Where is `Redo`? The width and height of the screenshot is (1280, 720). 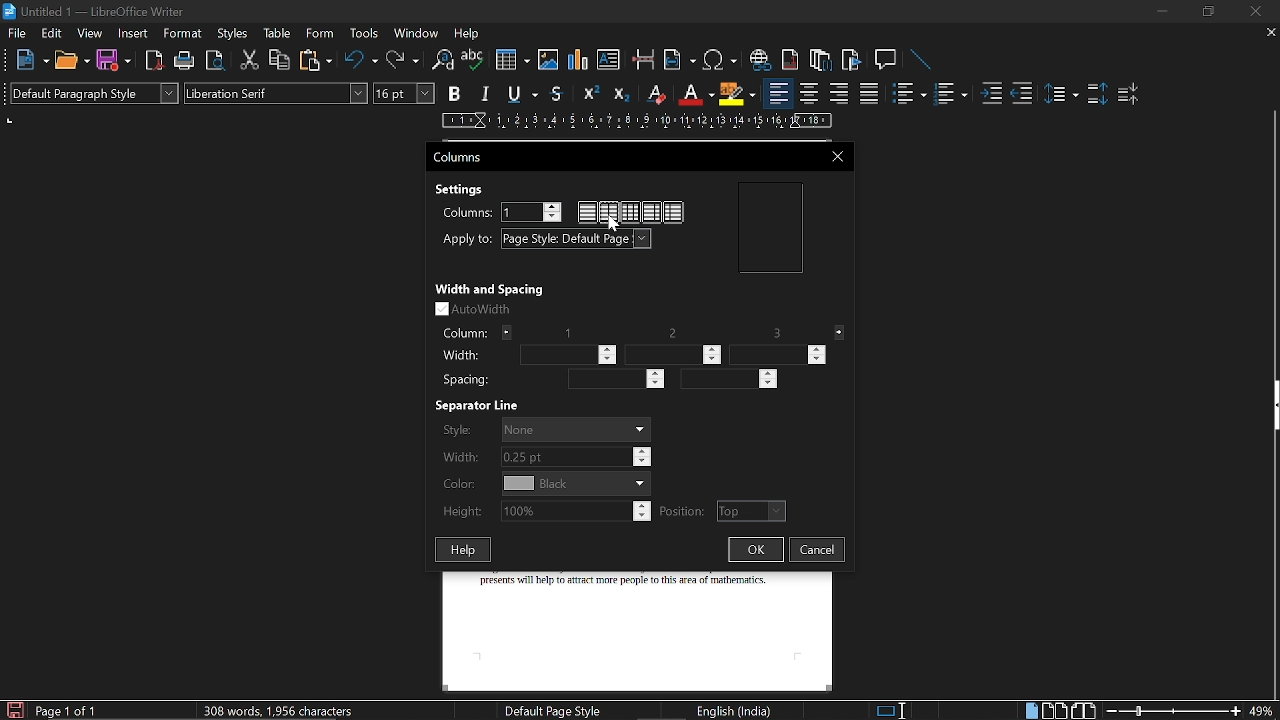 Redo is located at coordinates (402, 60).